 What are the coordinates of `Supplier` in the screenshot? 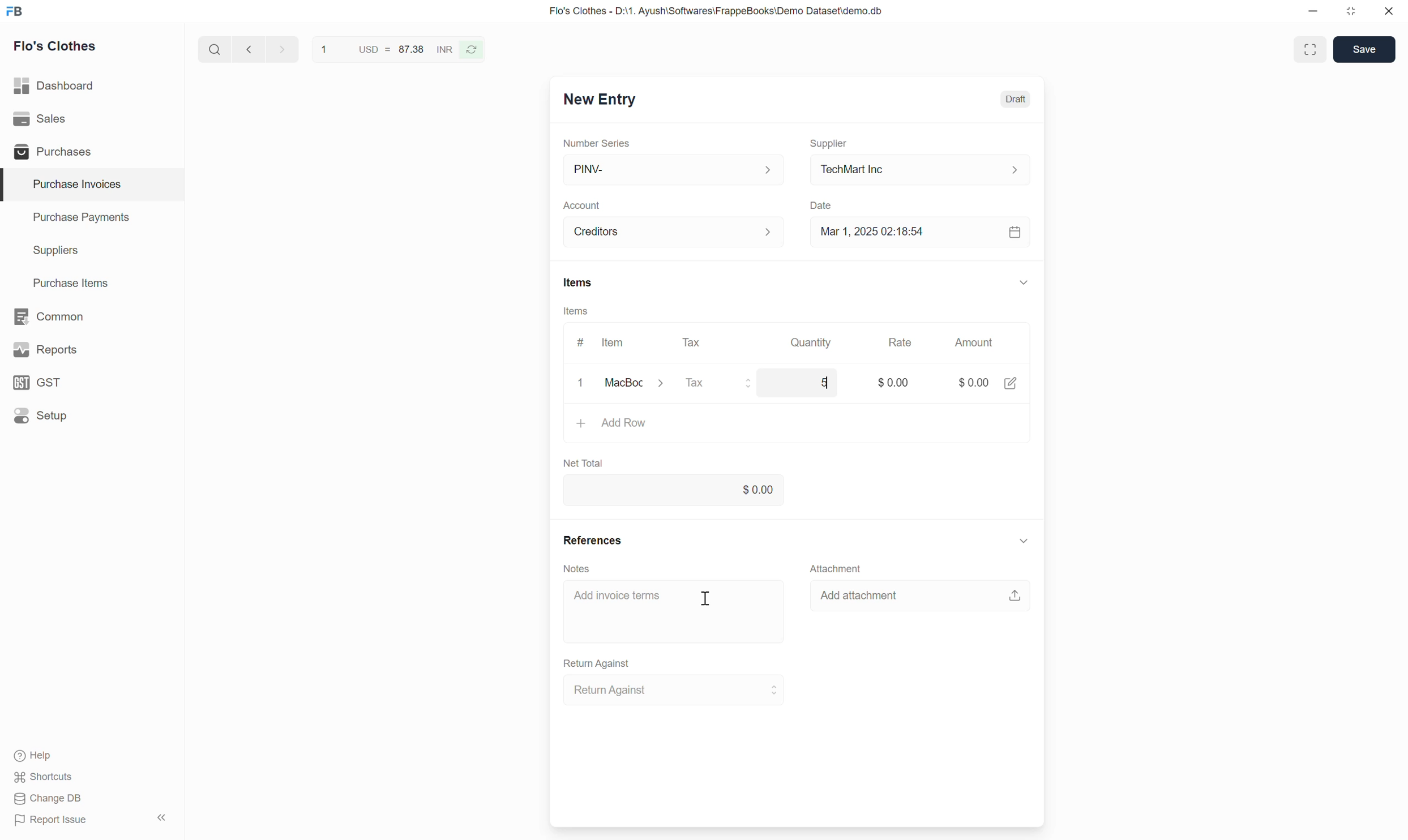 It's located at (829, 144).